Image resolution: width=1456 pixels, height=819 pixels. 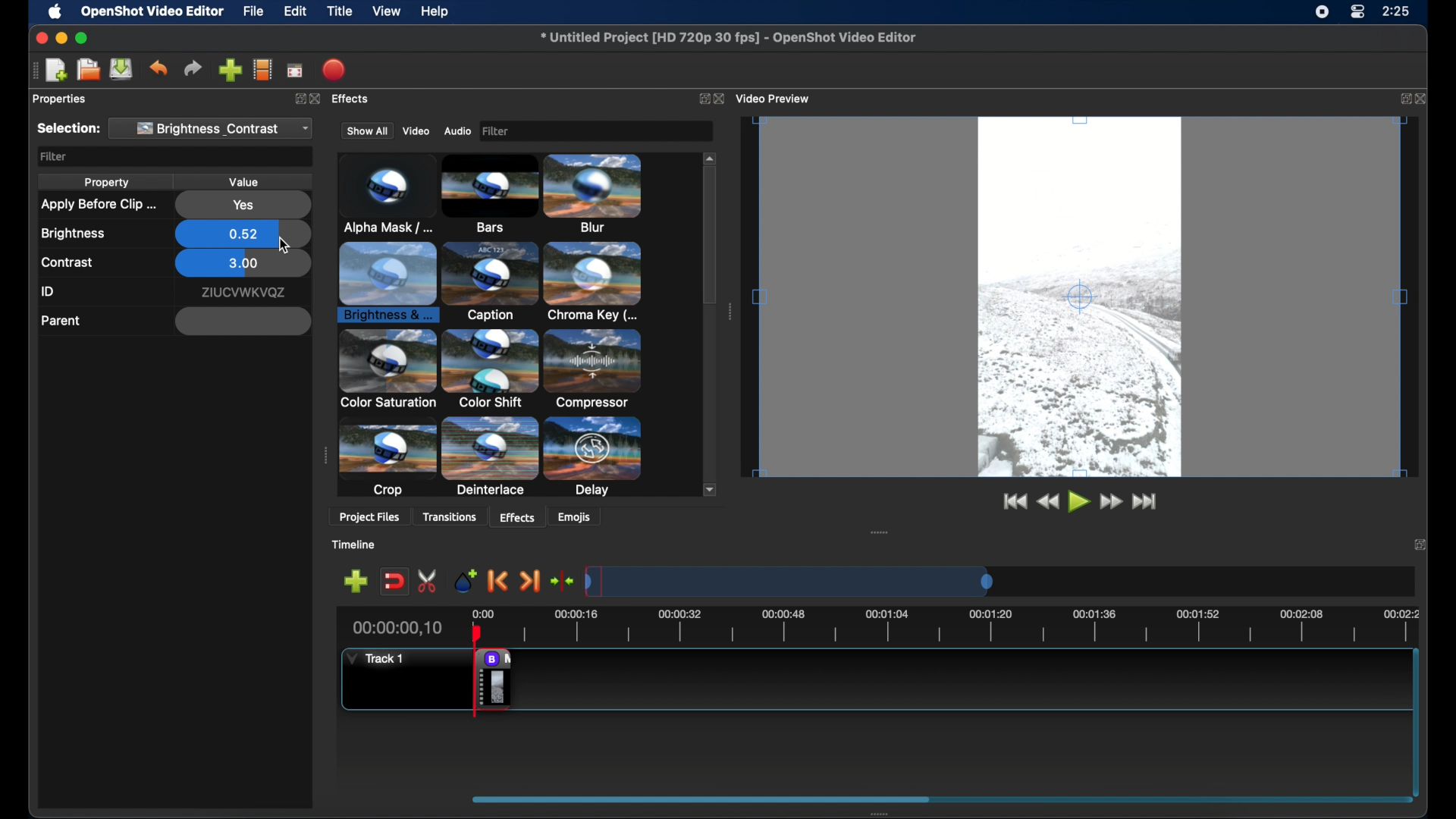 What do you see at coordinates (54, 157) in the screenshot?
I see `filter` at bounding box center [54, 157].